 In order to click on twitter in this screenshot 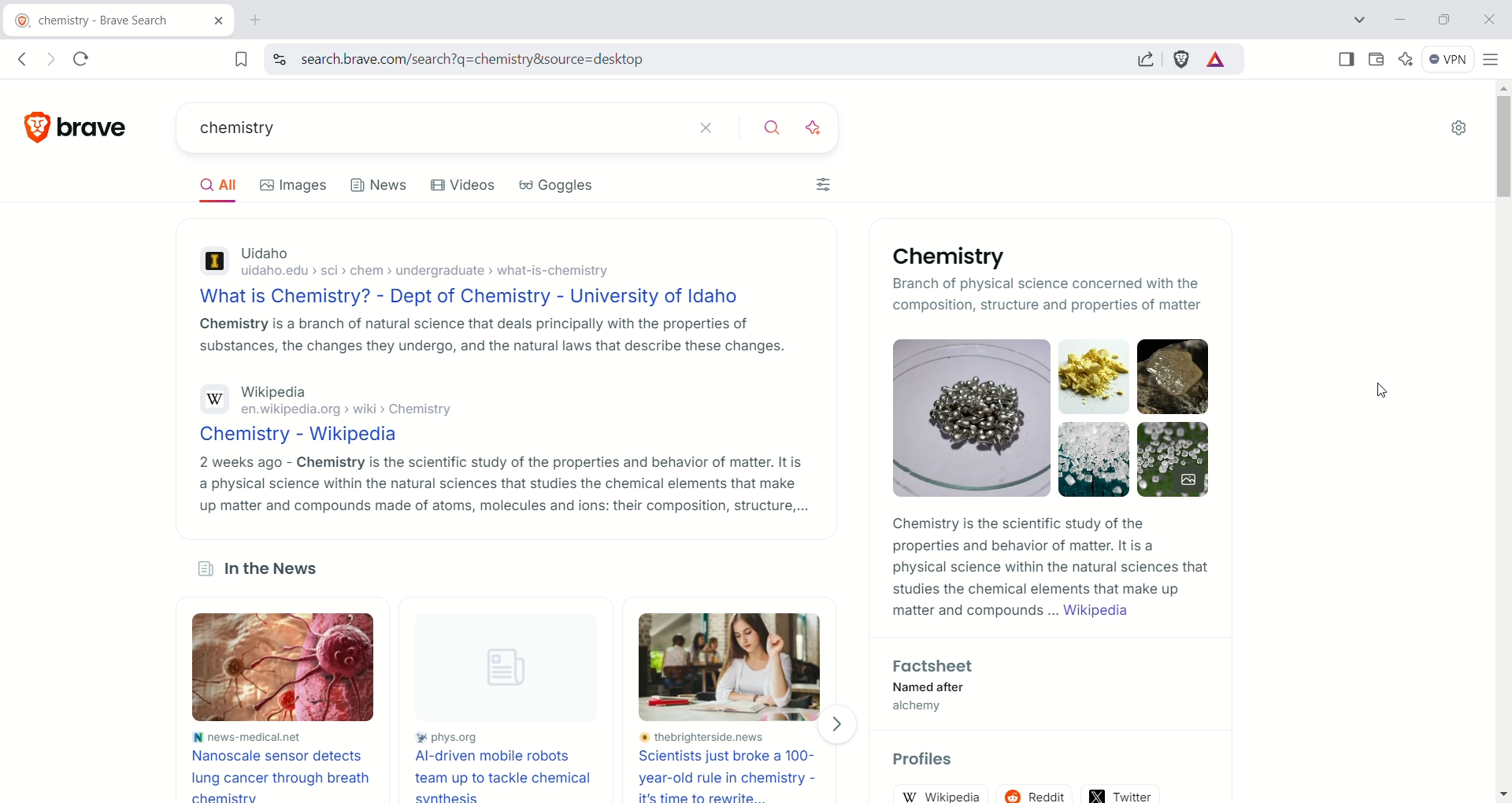, I will do `click(1122, 791)`.